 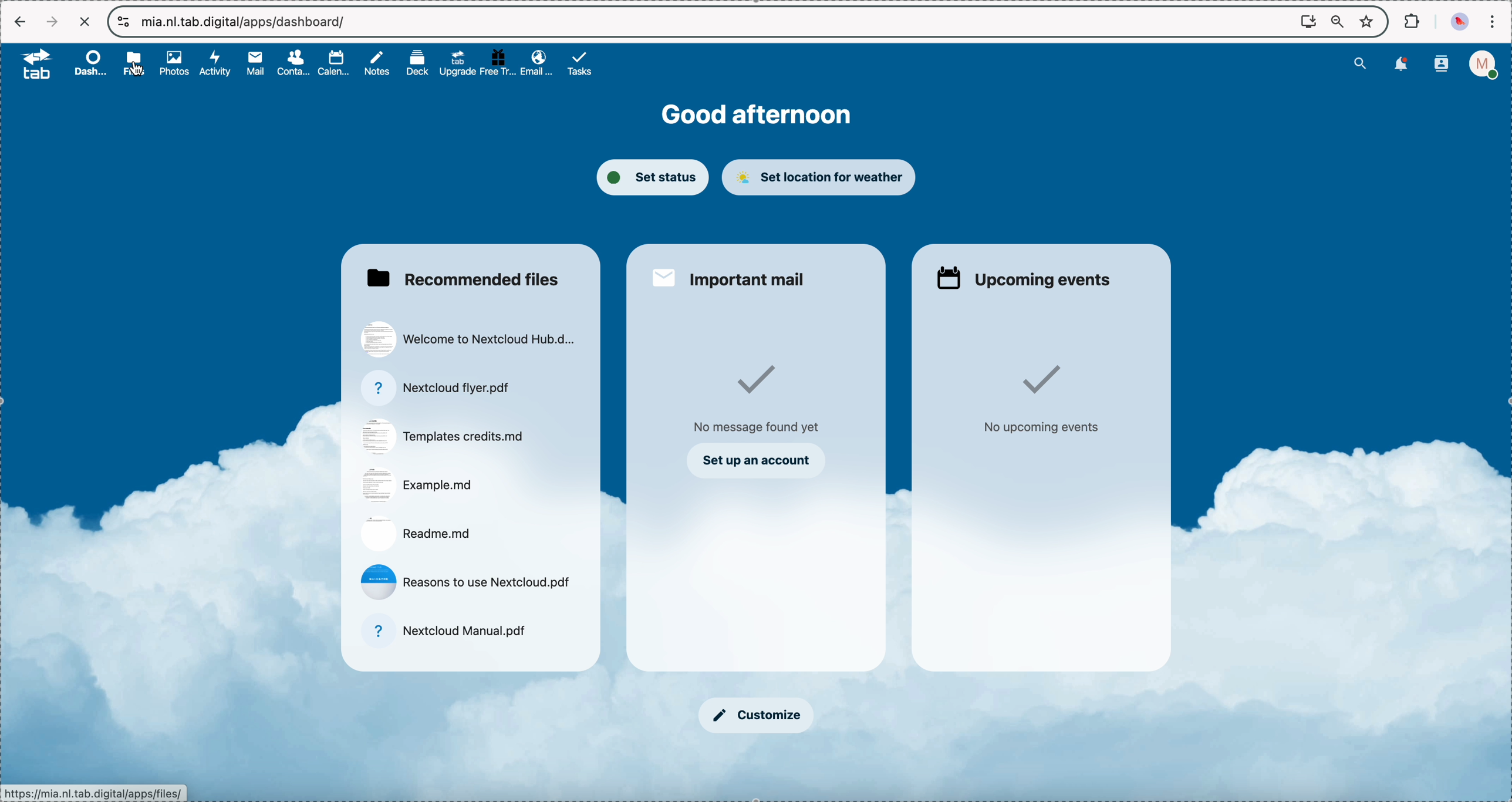 What do you see at coordinates (1442, 65) in the screenshot?
I see `contacts` at bounding box center [1442, 65].